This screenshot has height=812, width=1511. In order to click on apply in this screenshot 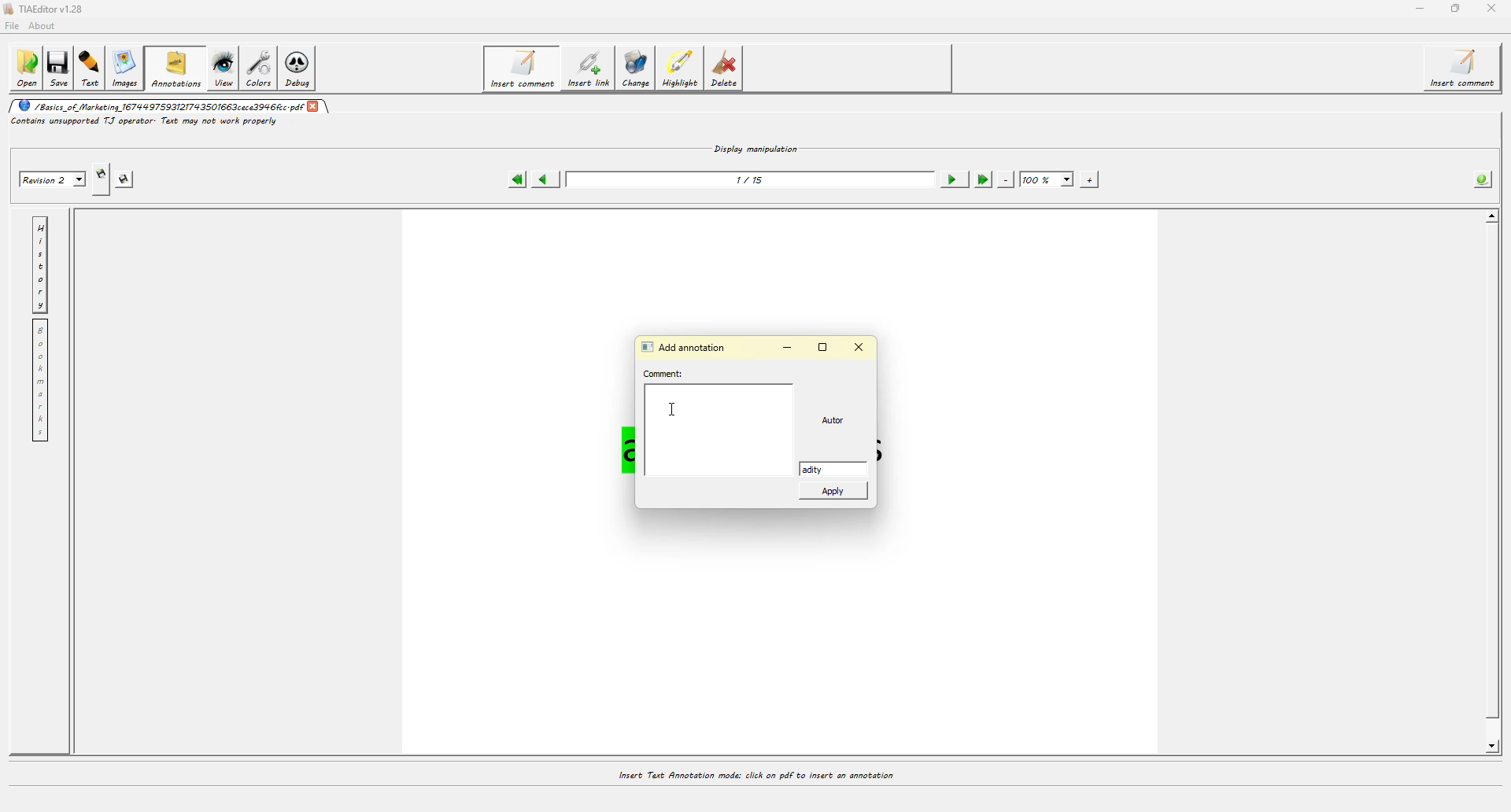, I will do `click(836, 494)`.